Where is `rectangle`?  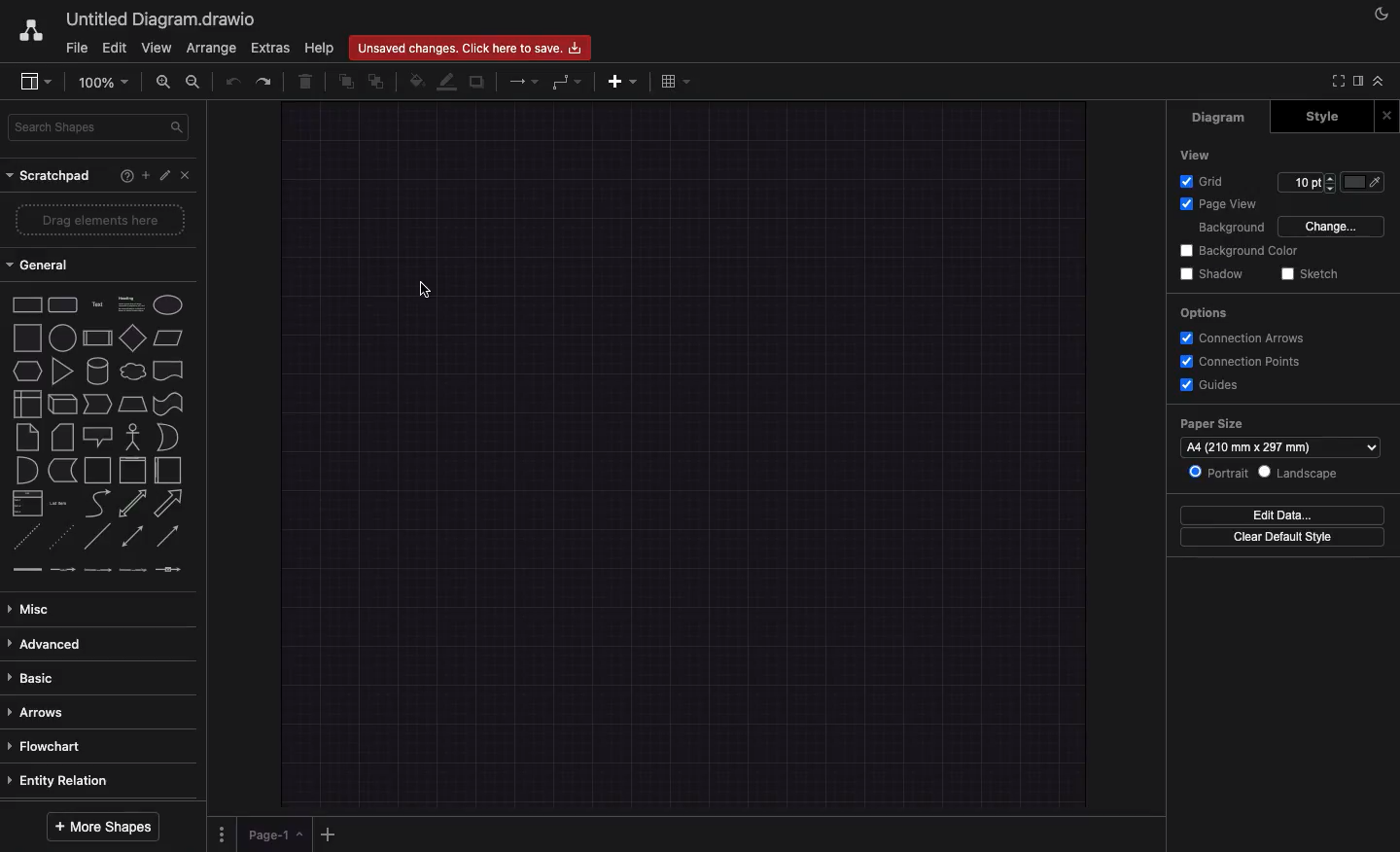 rectangle is located at coordinates (25, 305).